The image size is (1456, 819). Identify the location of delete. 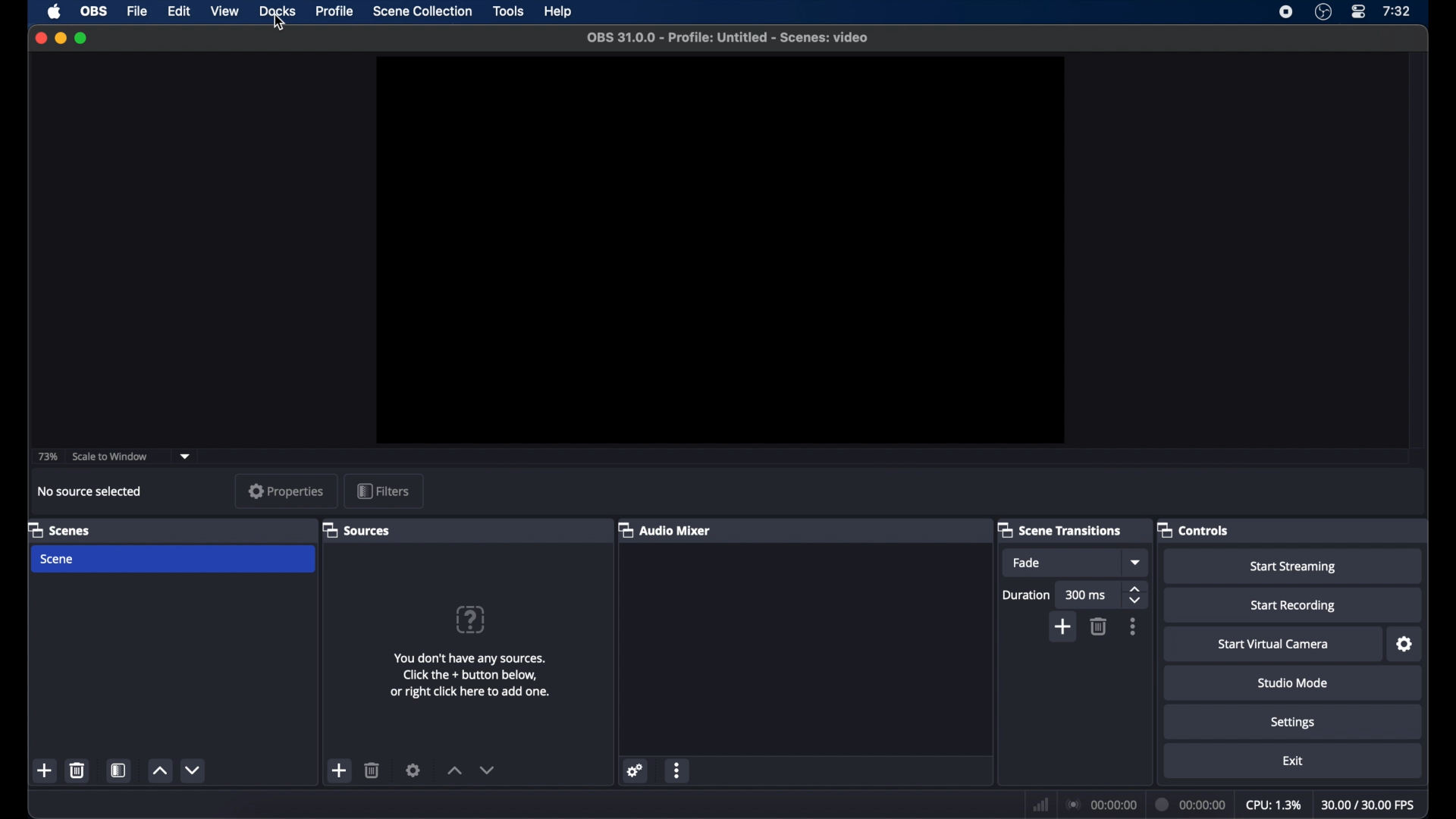
(78, 770).